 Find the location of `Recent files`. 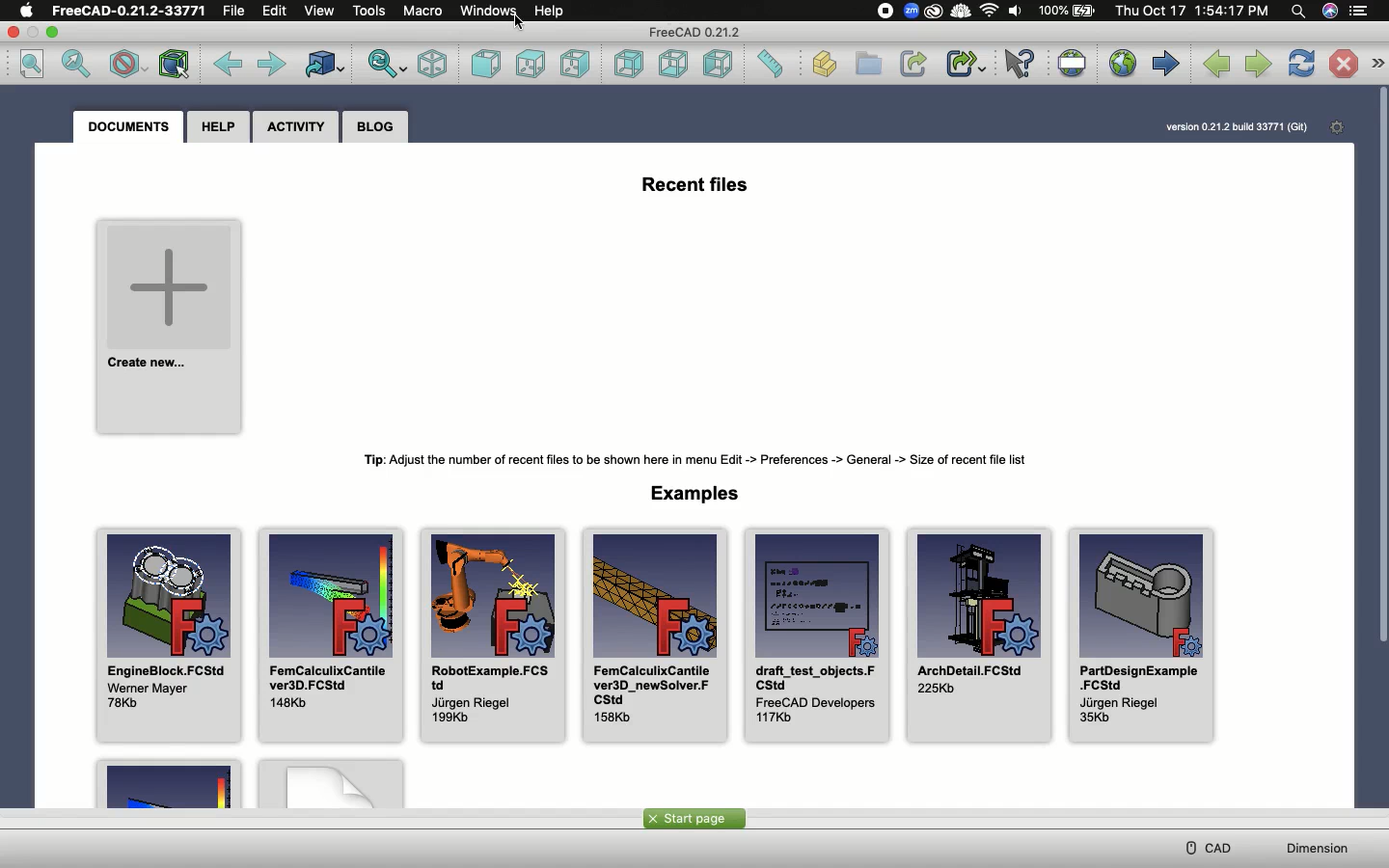

Recent files is located at coordinates (694, 184).